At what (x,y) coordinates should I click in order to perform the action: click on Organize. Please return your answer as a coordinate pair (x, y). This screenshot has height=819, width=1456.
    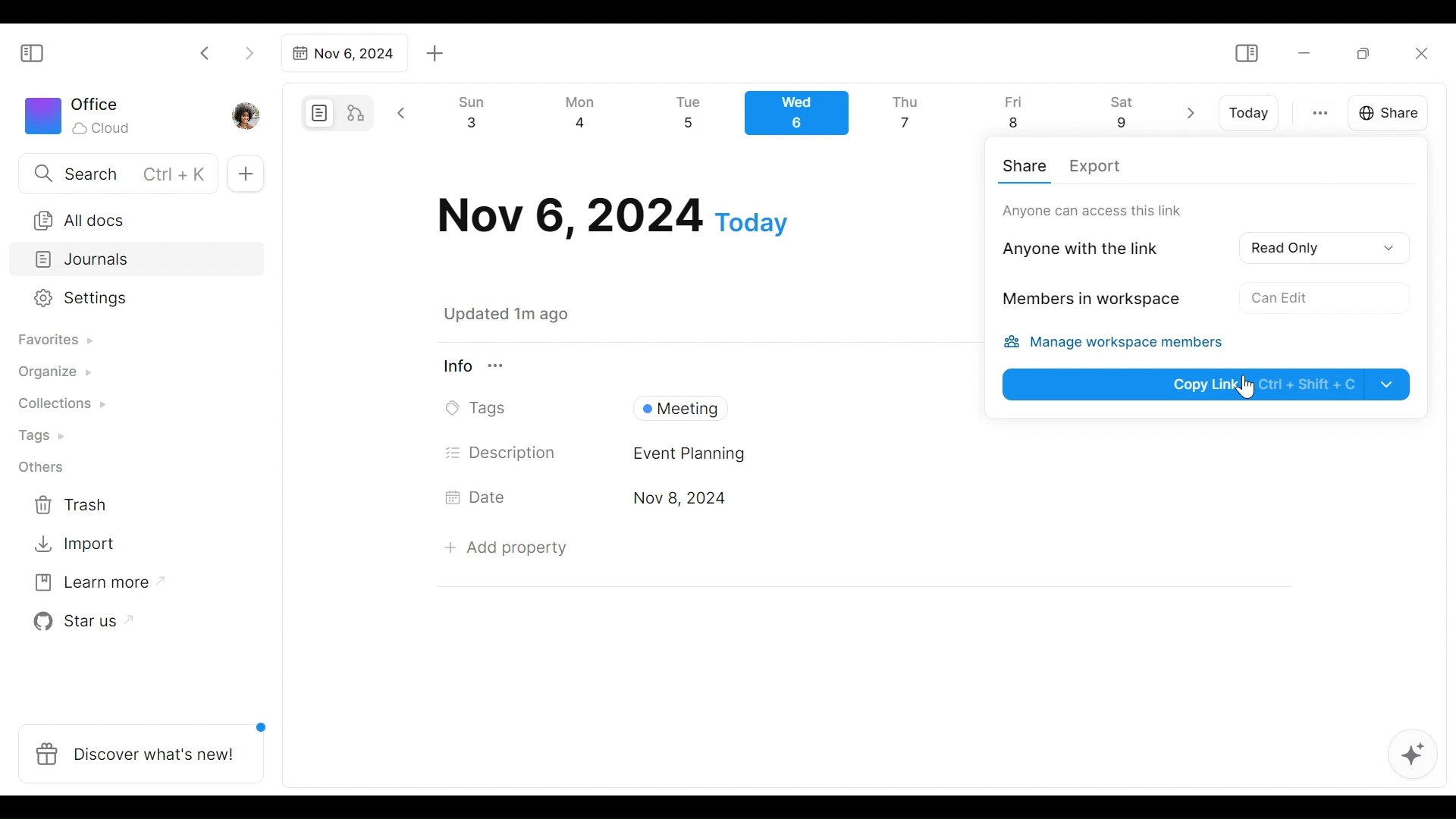
    Looking at the image, I should click on (53, 373).